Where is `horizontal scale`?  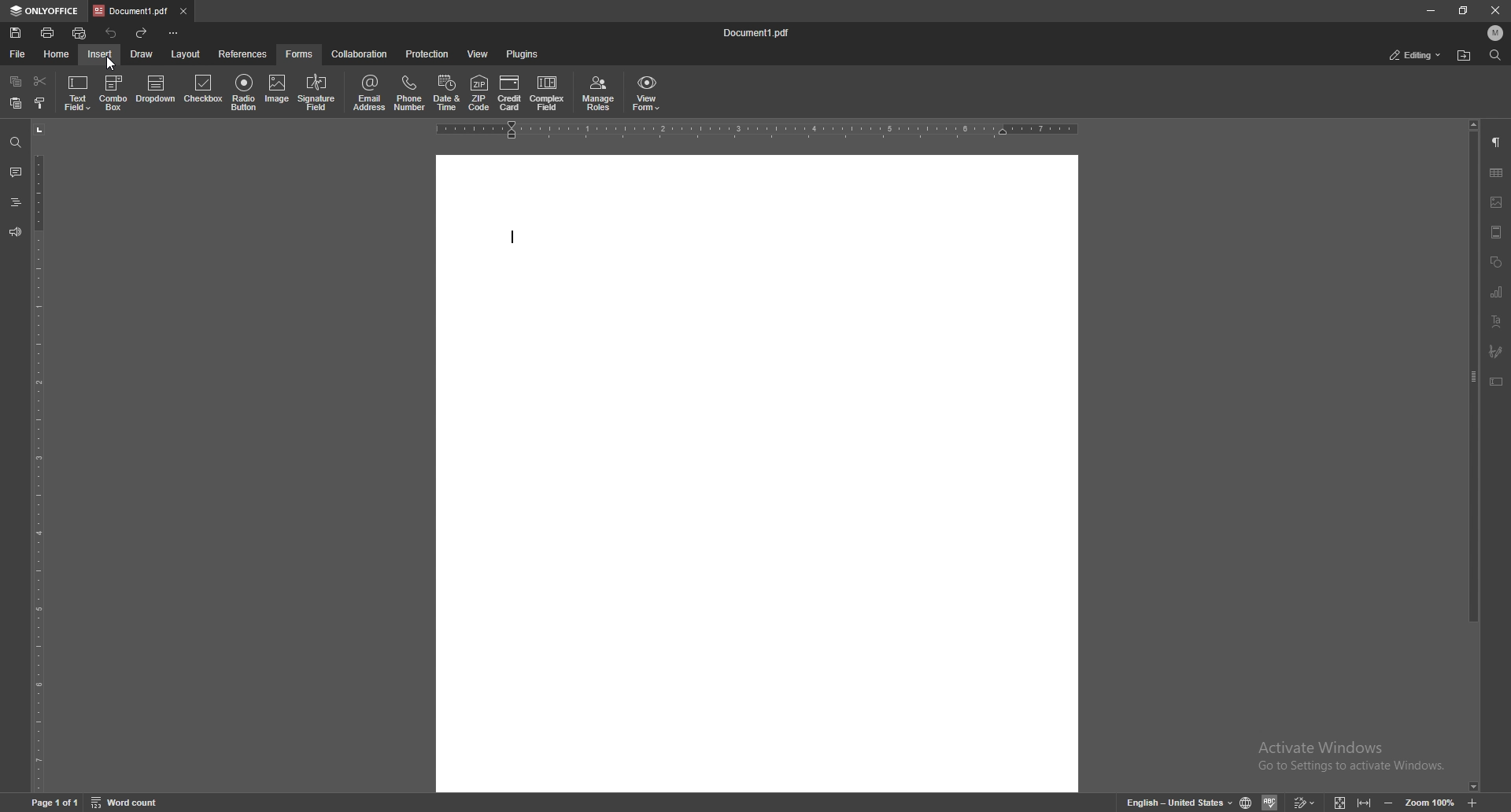 horizontal scale is located at coordinates (761, 129).